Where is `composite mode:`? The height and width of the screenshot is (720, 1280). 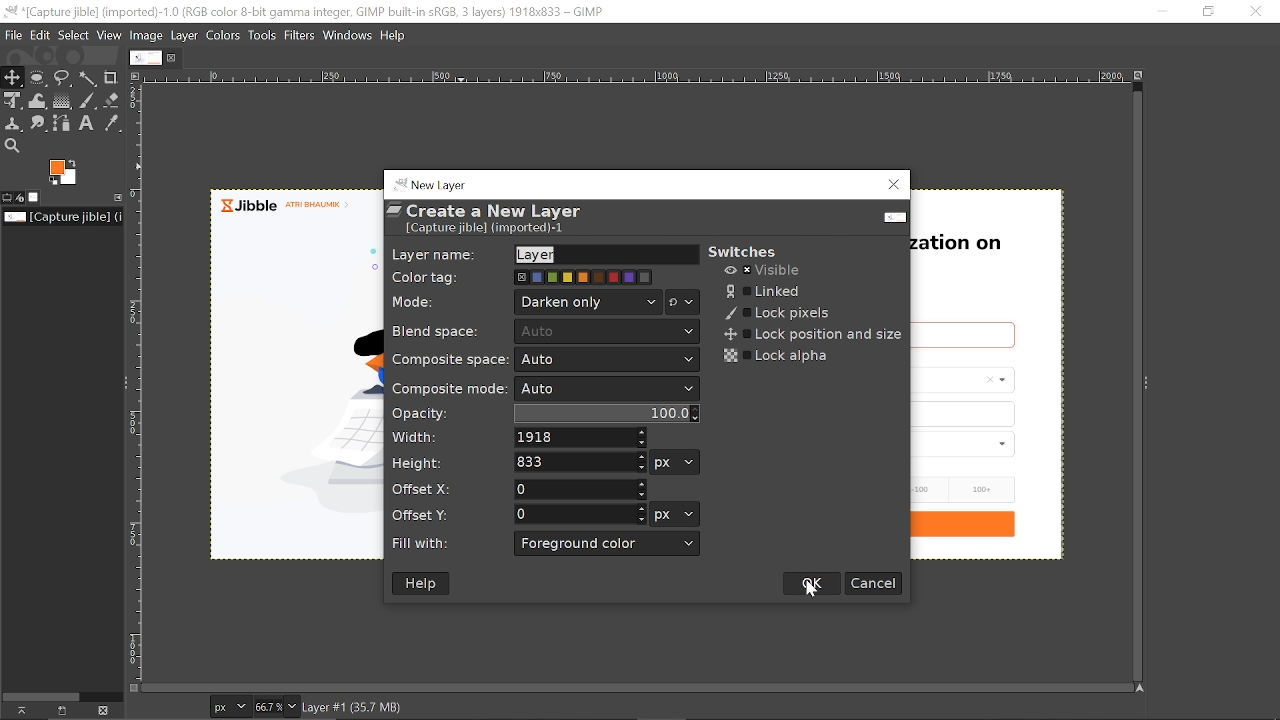
composite mode: is located at coordinates (448, 388).